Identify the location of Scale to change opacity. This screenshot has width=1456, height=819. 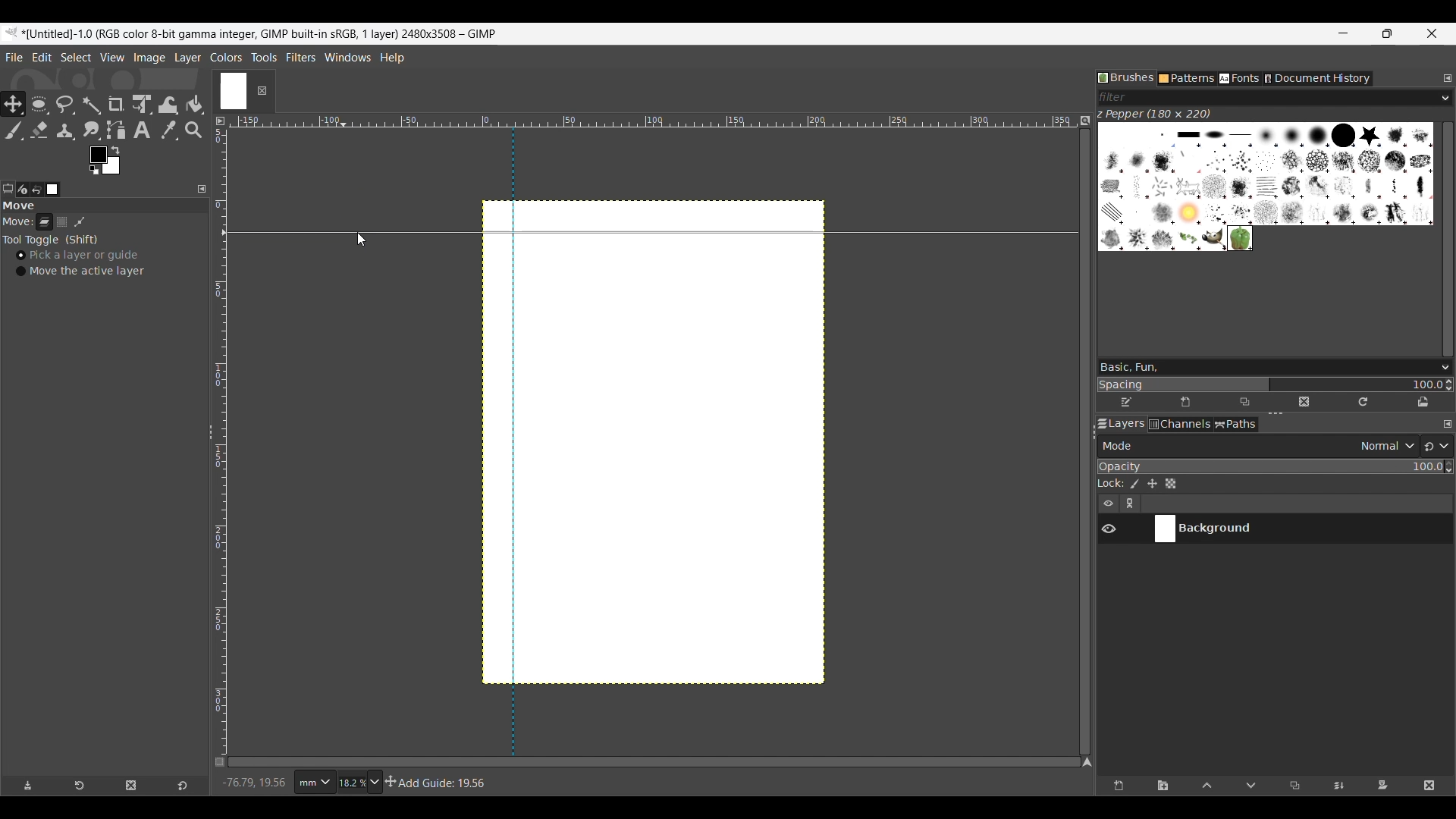
(1271, 466).